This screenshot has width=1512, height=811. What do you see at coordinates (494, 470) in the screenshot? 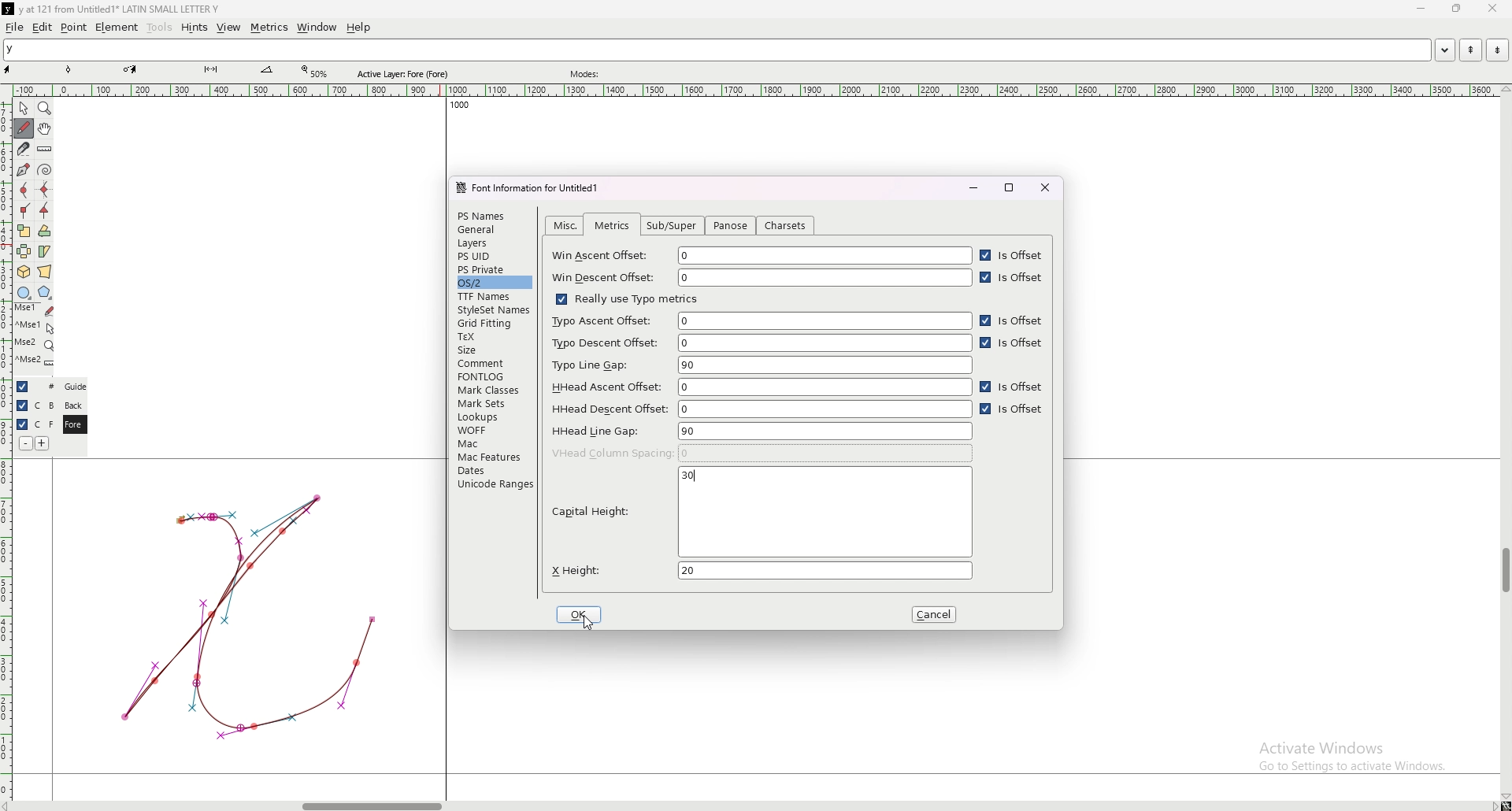
I see `dates` at bounding box center [494, 470].